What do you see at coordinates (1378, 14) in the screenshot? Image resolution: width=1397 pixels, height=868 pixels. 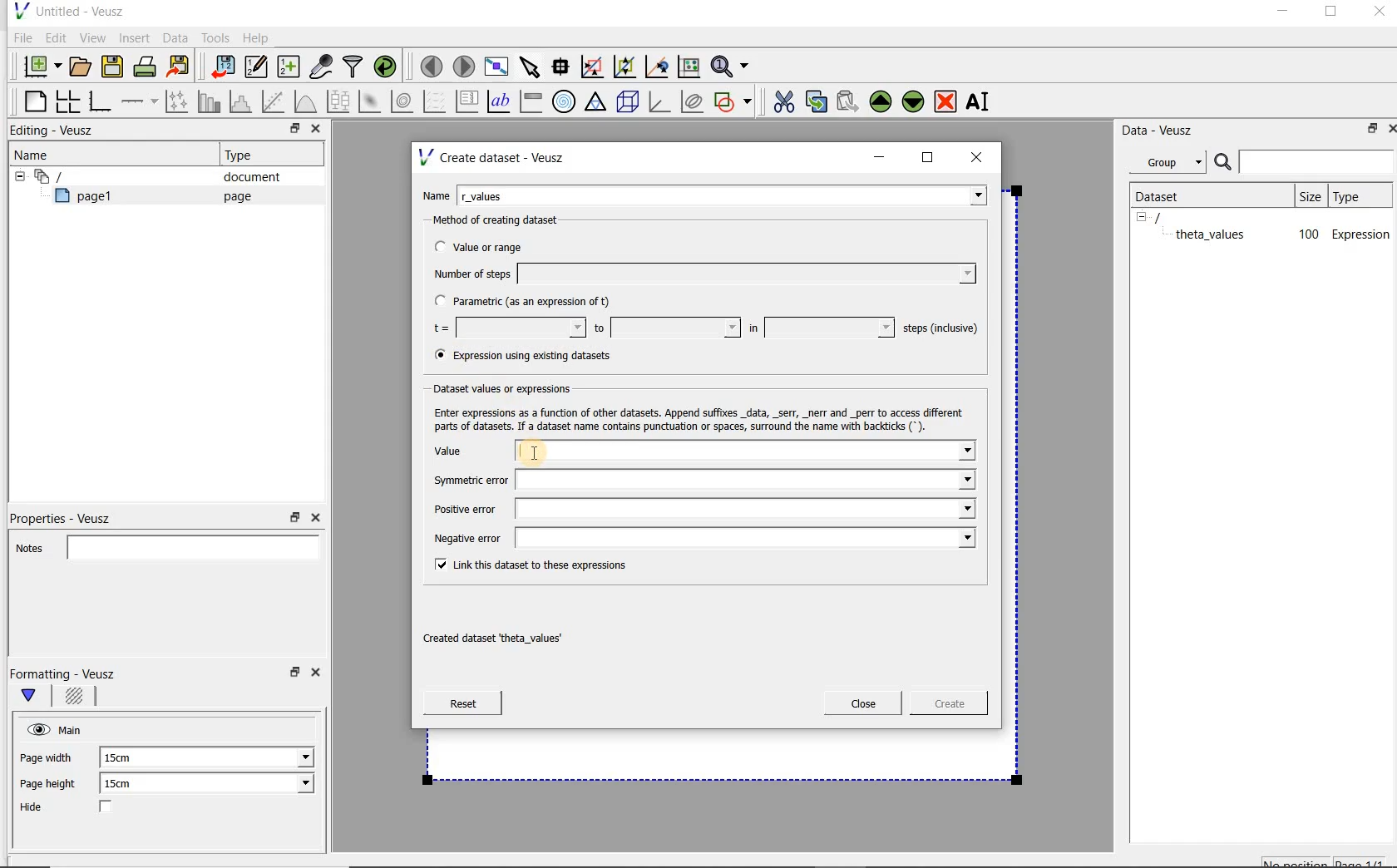 I see `Close` at bounding box center [1378, 14].